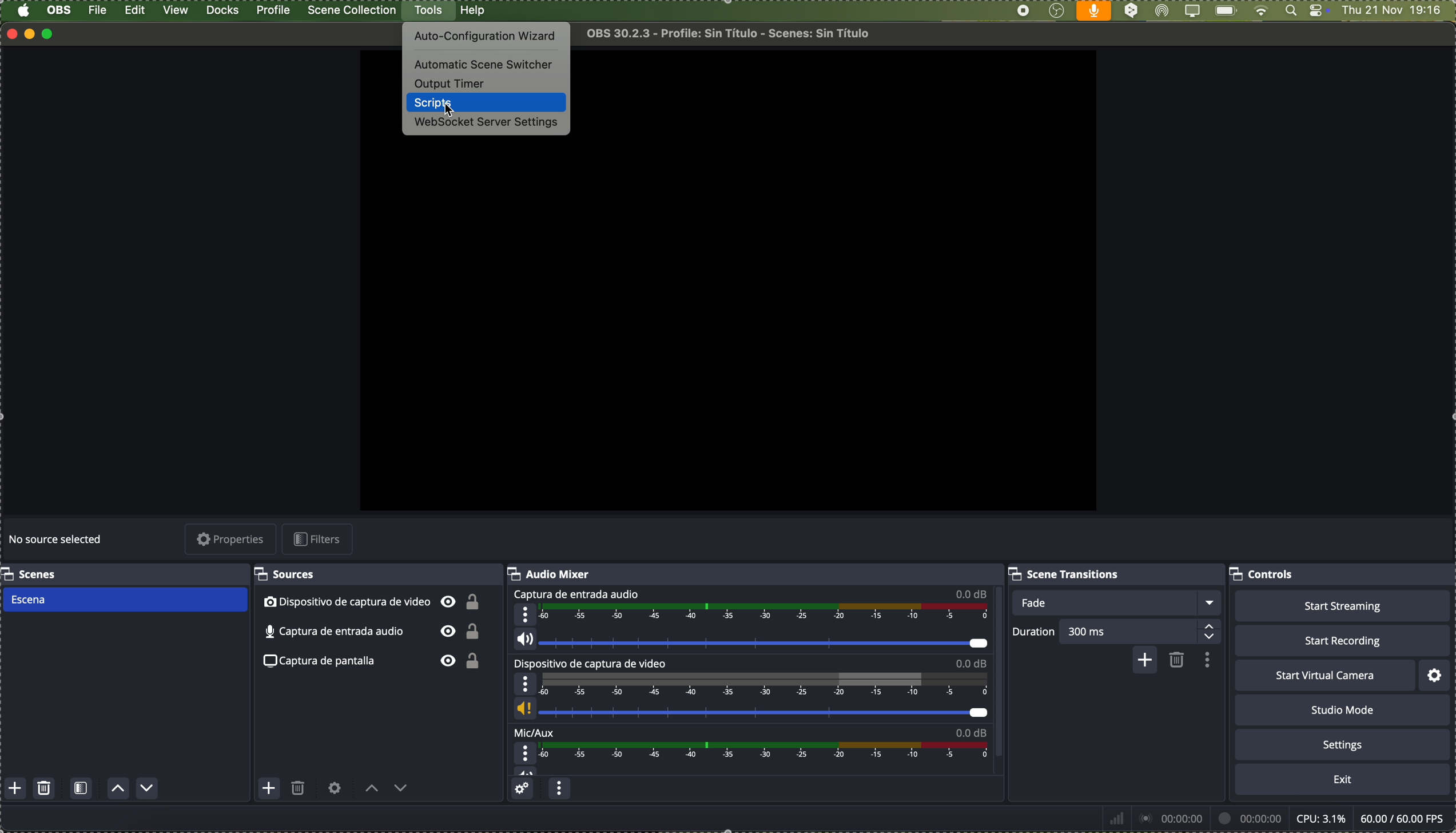  I want to click on scene transitions, so click(1067, 573).